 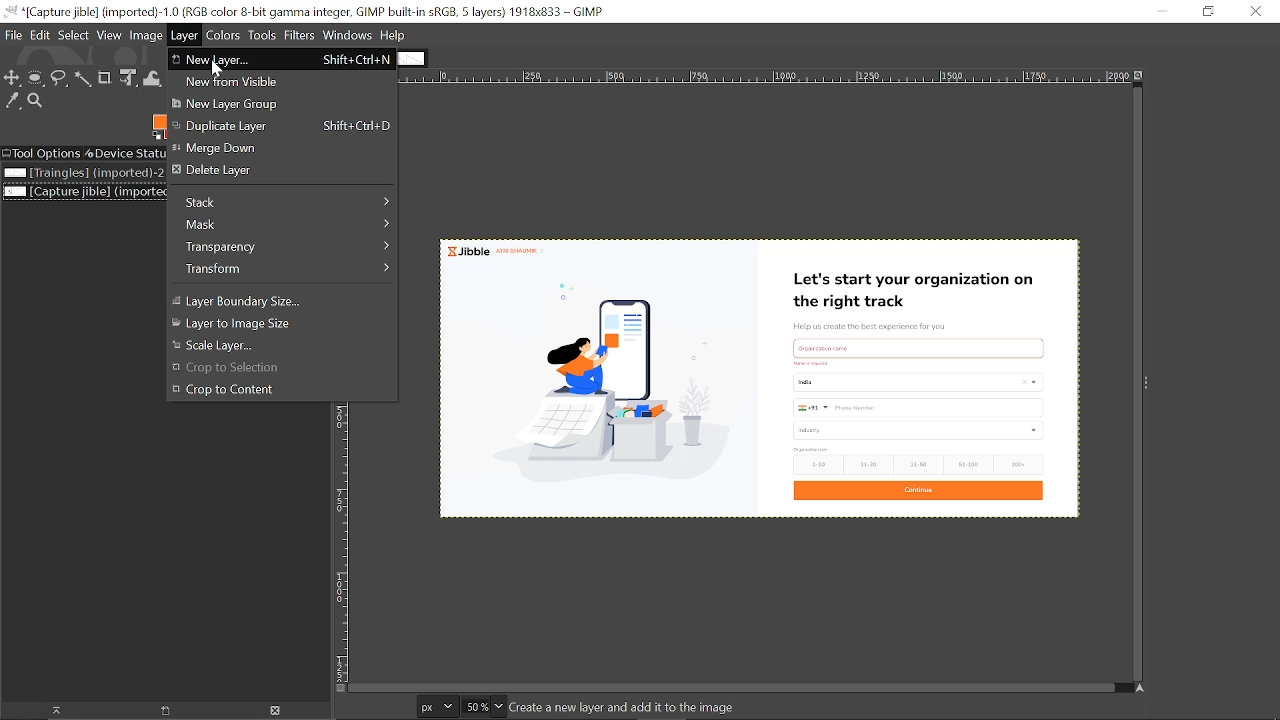 What do you see at coordinates (13, 78) in the screenshot?
I see `Move tool` at bounding box center [13, 78].